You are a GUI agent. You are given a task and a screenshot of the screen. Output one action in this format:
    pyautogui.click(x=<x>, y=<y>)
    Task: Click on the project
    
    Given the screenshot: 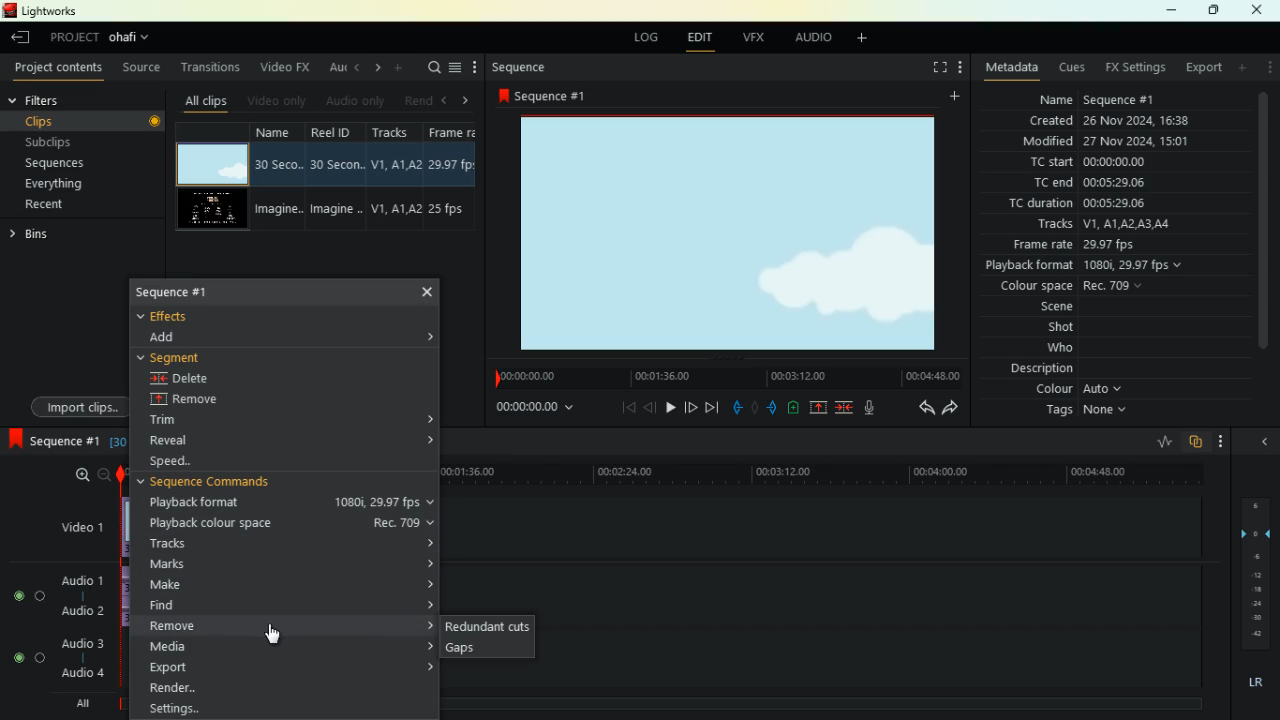 What is the action you would take?
    pyautogui.click(x=106, y=37)
    